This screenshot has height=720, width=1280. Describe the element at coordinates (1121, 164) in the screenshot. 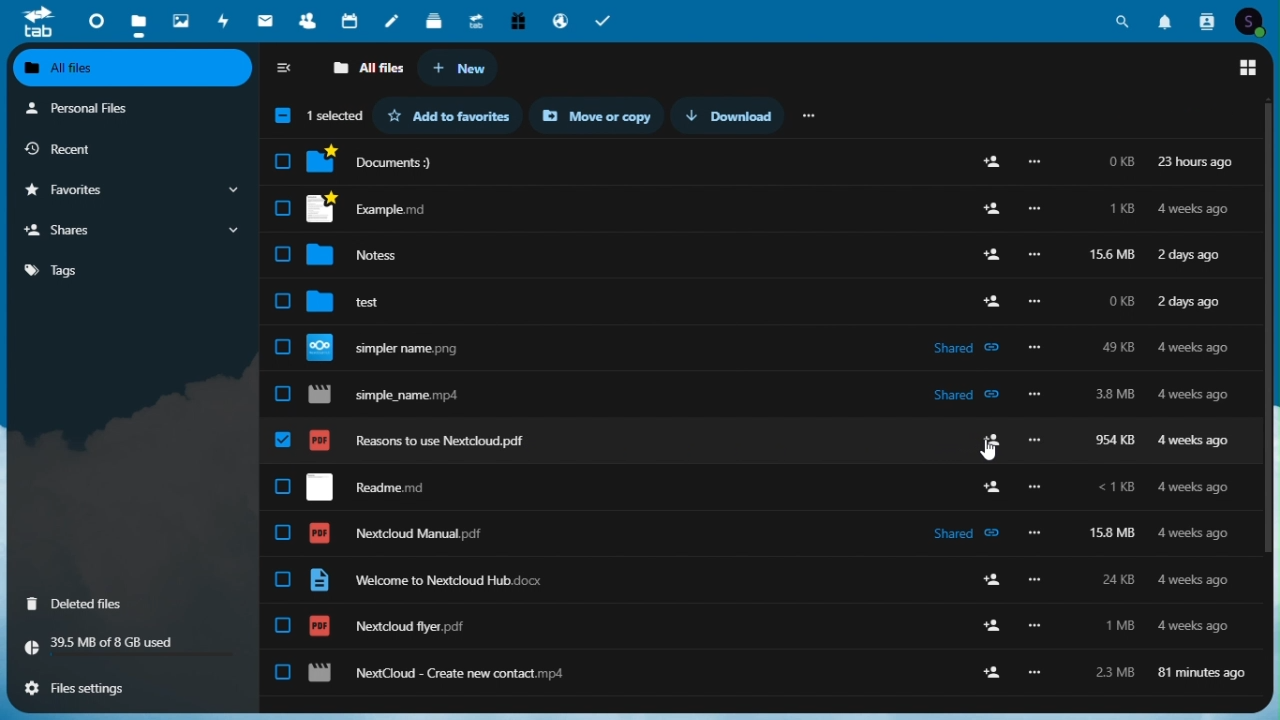

I see `0kb` at that location.